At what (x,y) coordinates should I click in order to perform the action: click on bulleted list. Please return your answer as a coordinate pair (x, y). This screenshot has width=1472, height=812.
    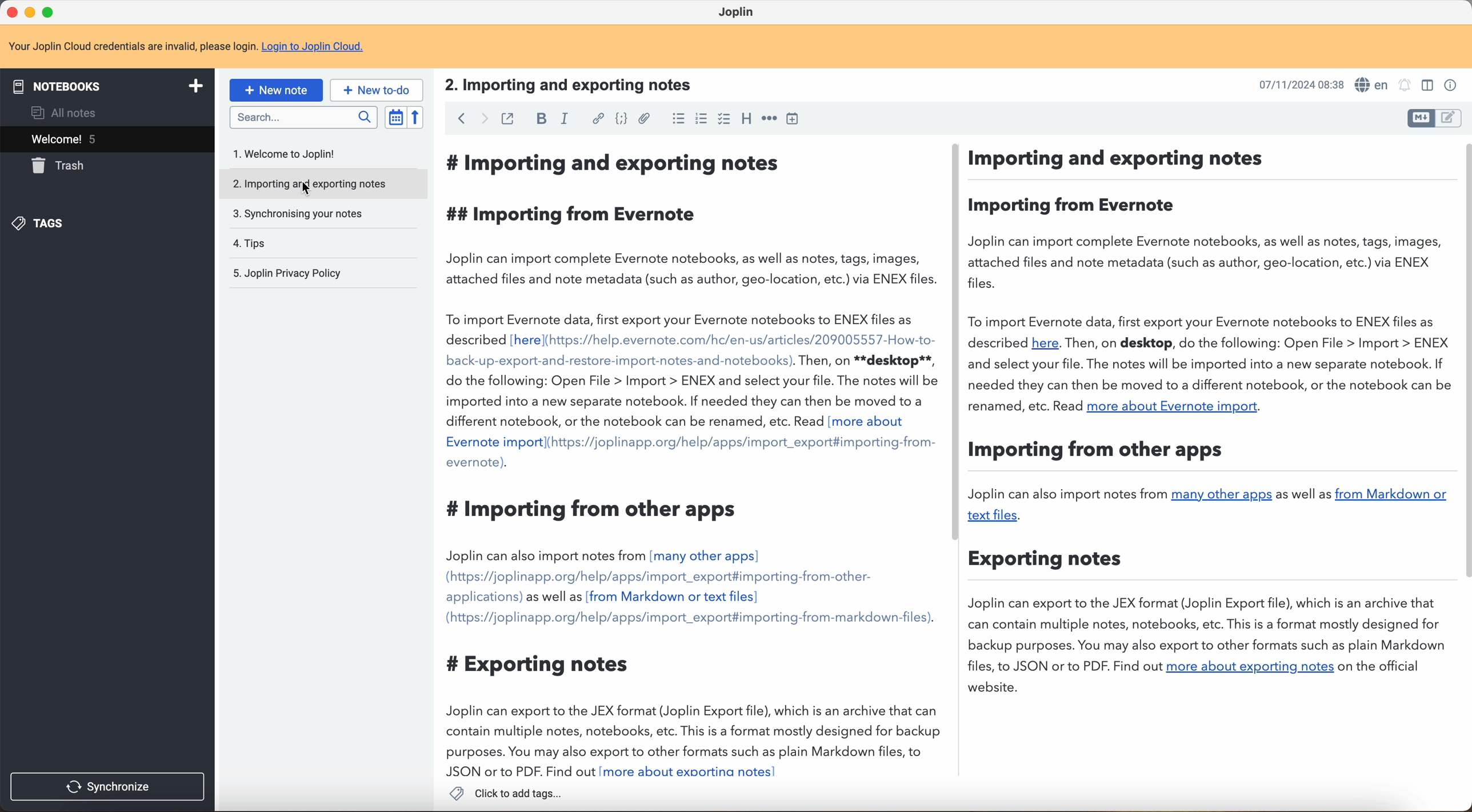
    Looking at the image, I should click on (675, 120).